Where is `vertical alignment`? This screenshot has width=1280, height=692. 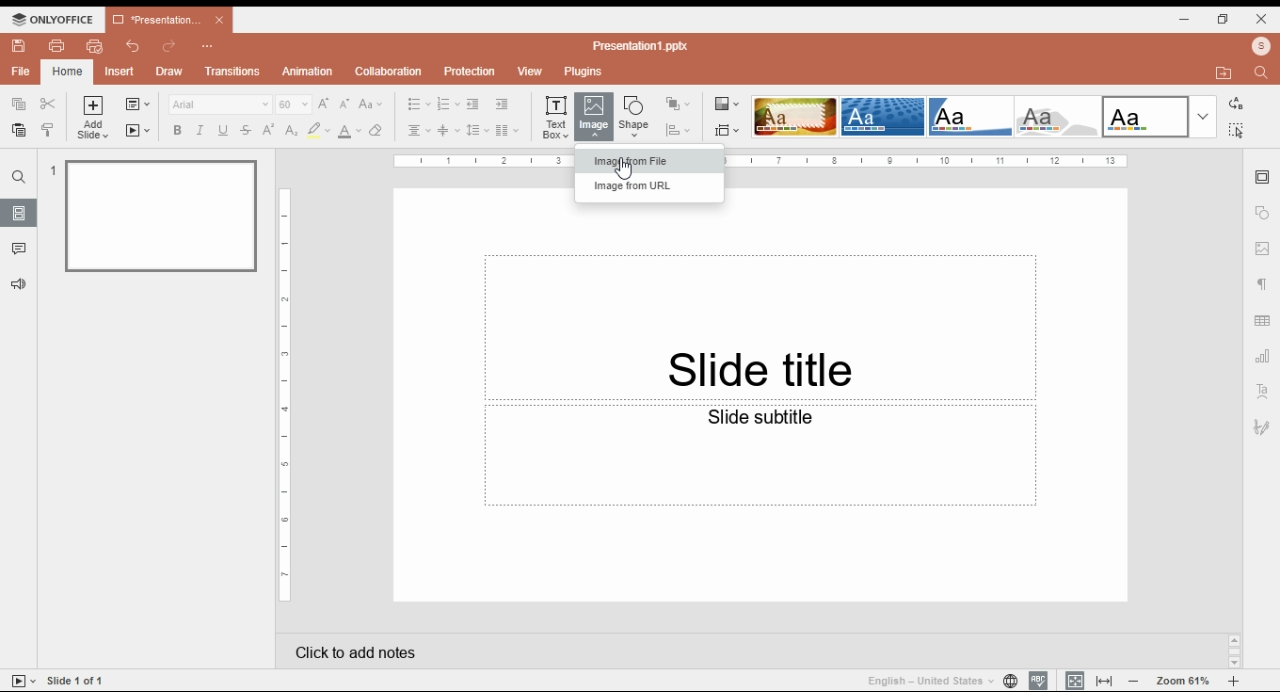
vertical alignment is located at coordinates (448, 131).